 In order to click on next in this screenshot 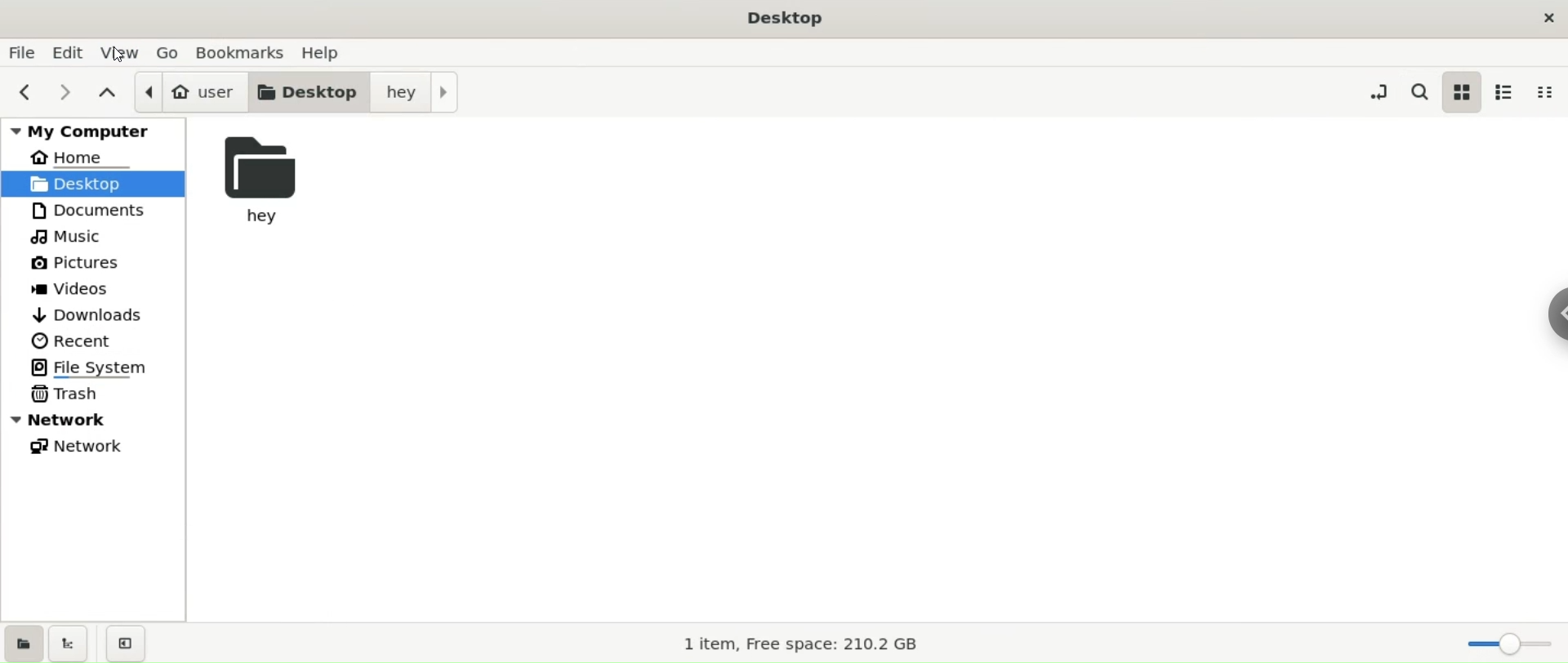, I will do `click(65, 91)`.